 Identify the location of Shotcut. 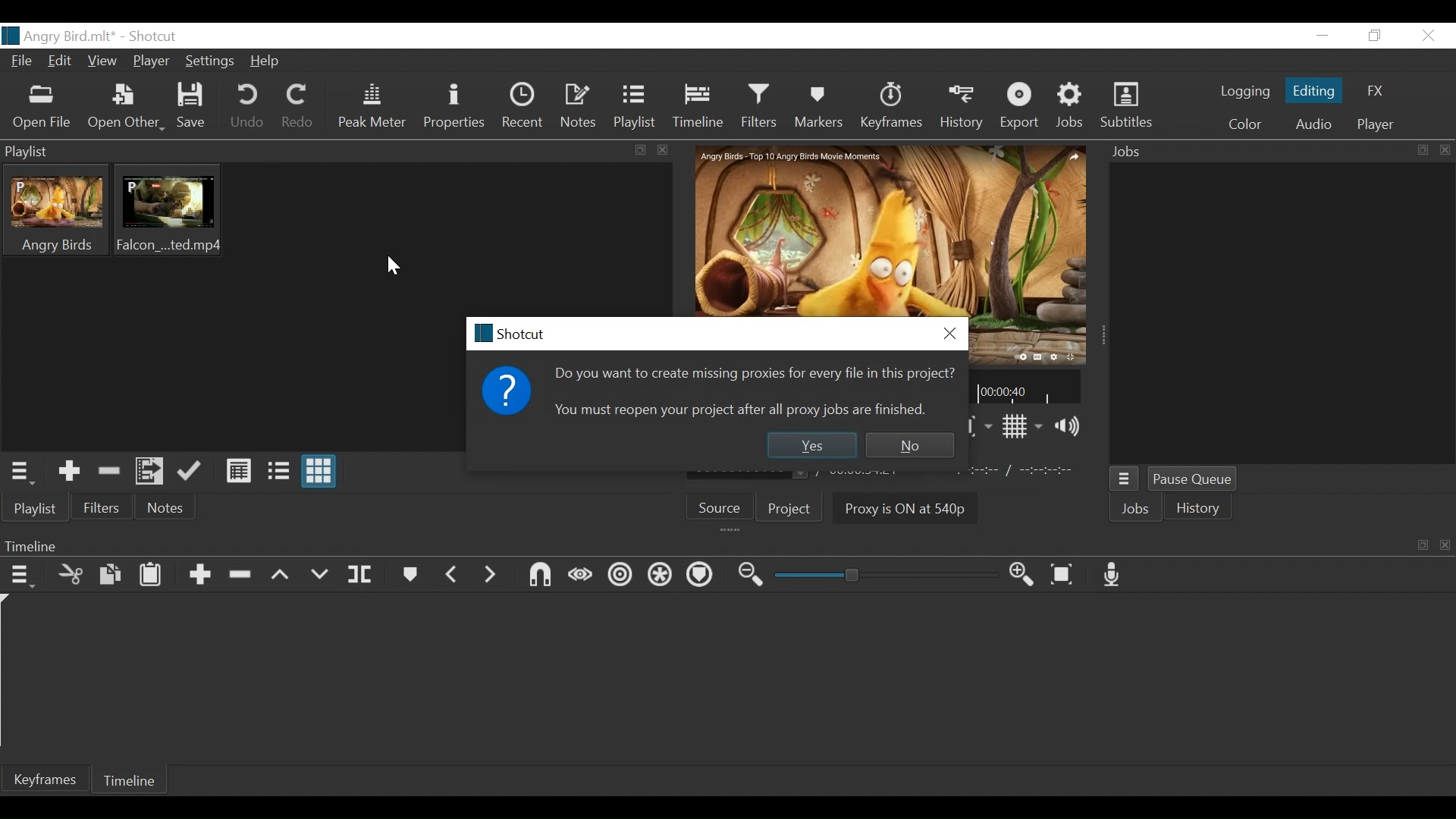
(524, 333).